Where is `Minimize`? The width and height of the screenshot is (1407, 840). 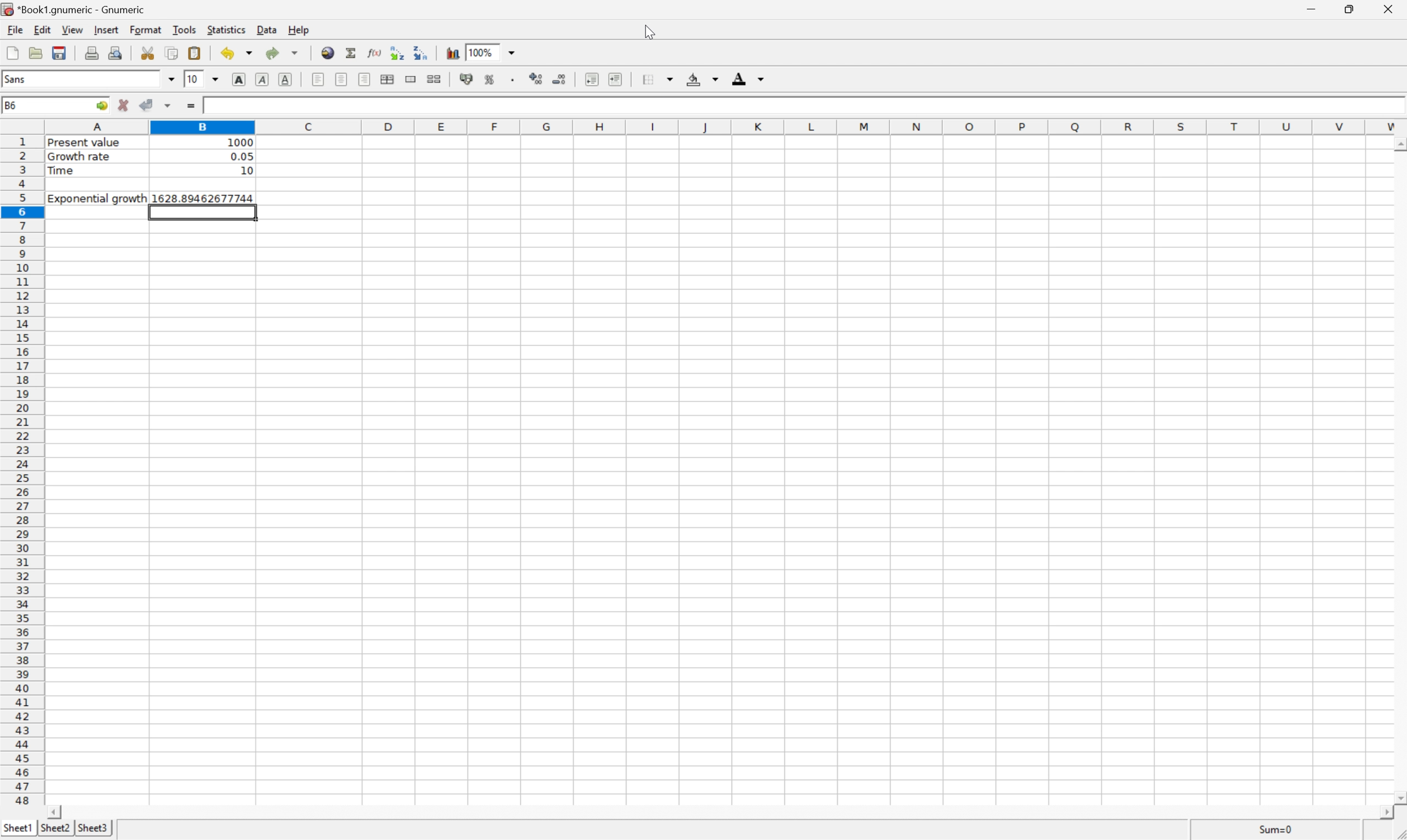 Minimize is located at coordinates (1311, 10).